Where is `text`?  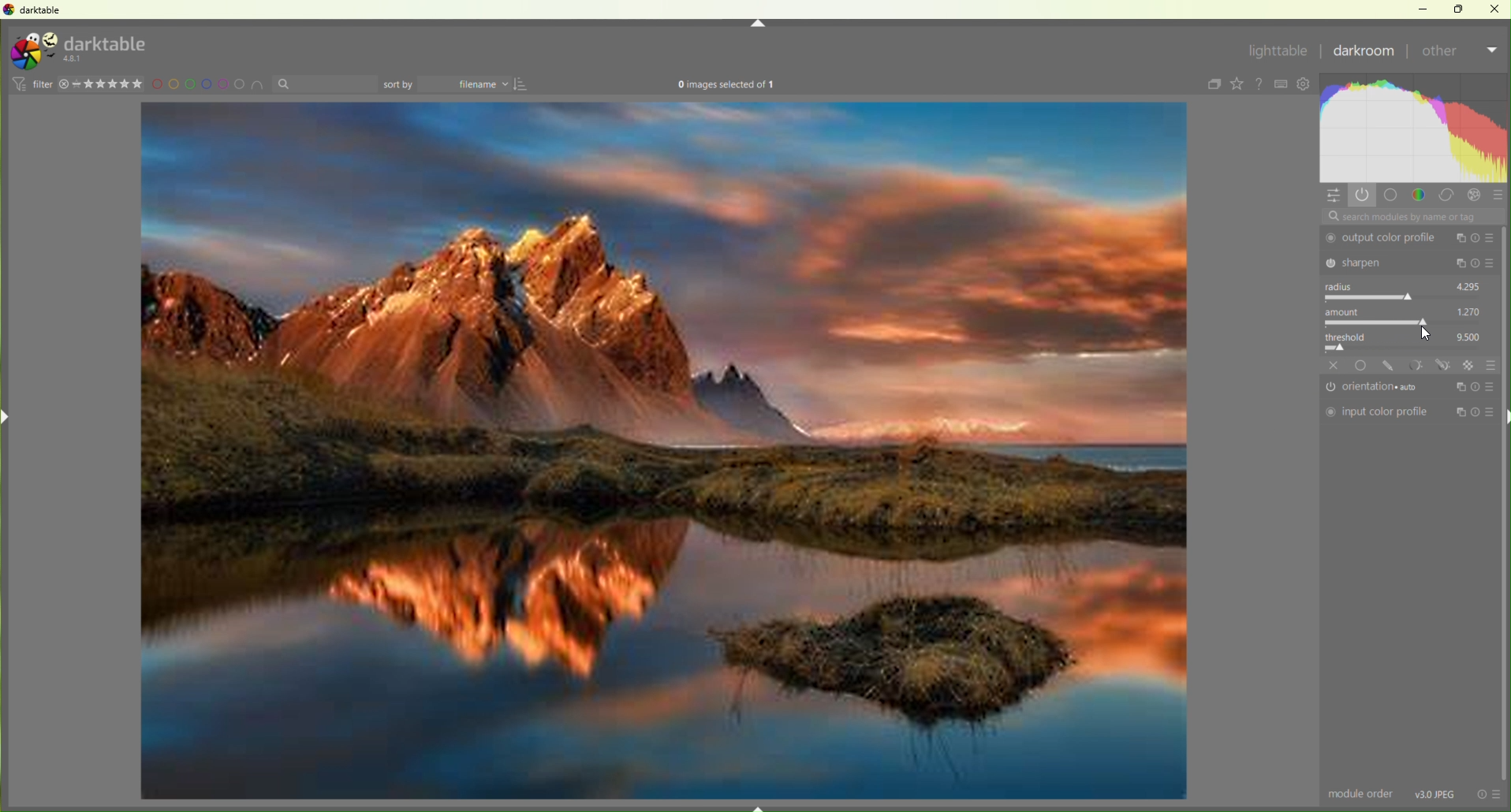
text is located at coordinates (726, 86).